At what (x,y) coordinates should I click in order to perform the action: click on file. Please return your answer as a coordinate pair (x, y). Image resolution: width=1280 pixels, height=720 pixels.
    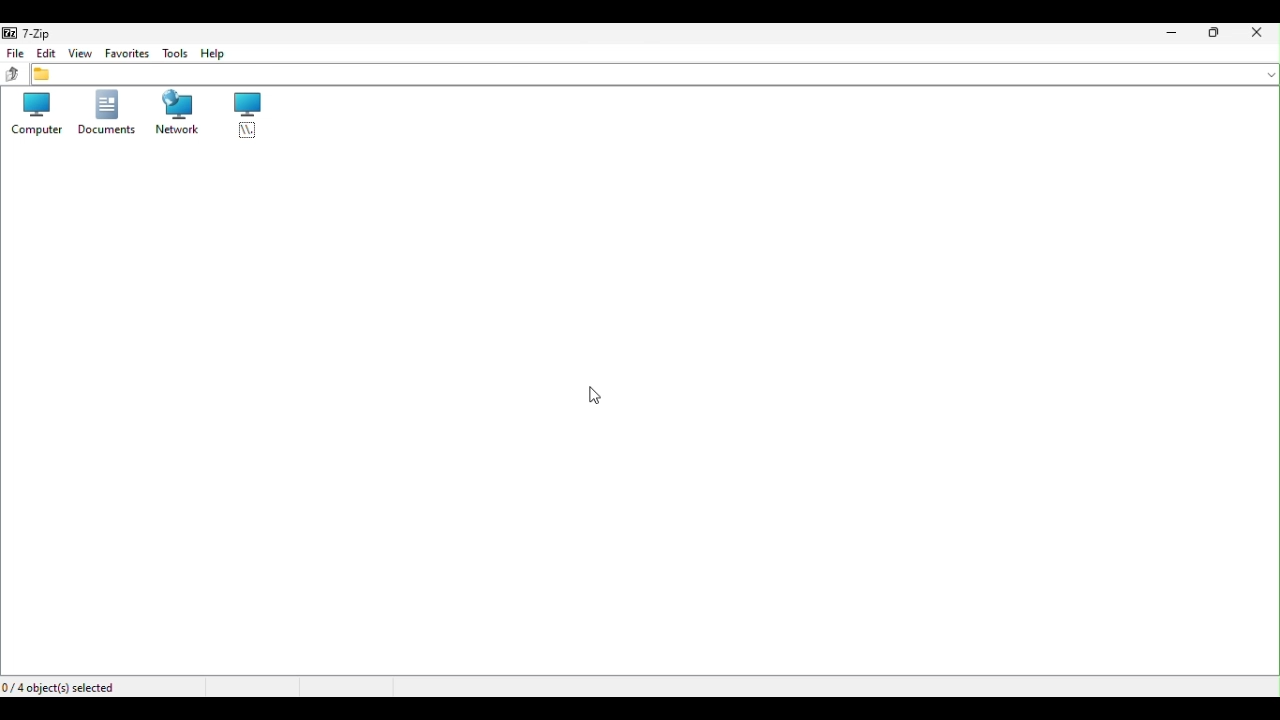
    Looking at the image, I should click on (16, 56).